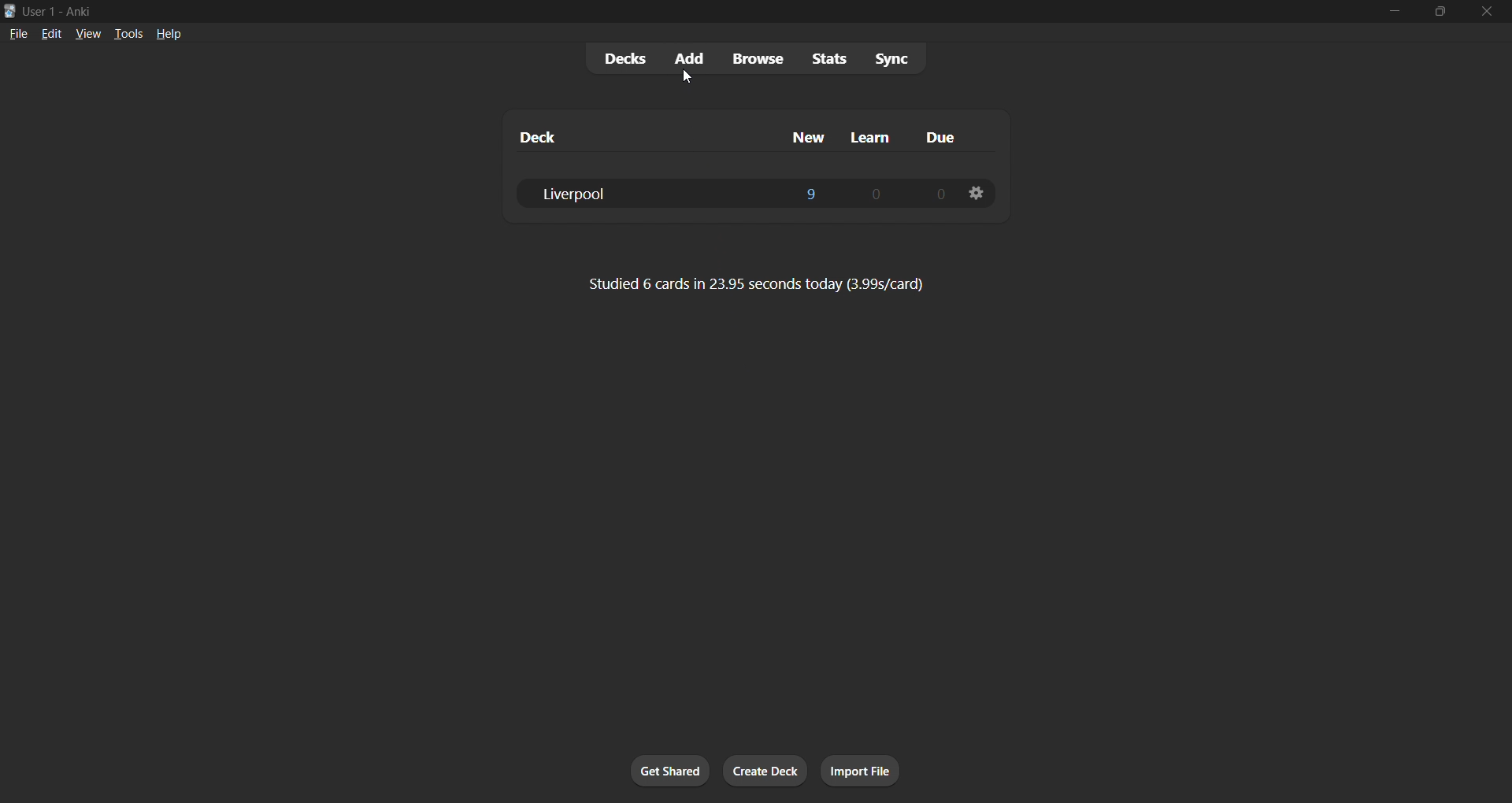 Image resolution: width=1512 pixels, height=803 pixels. Describe the element at coordinates (20, 33) in the screenshot. I see `file` at that location.